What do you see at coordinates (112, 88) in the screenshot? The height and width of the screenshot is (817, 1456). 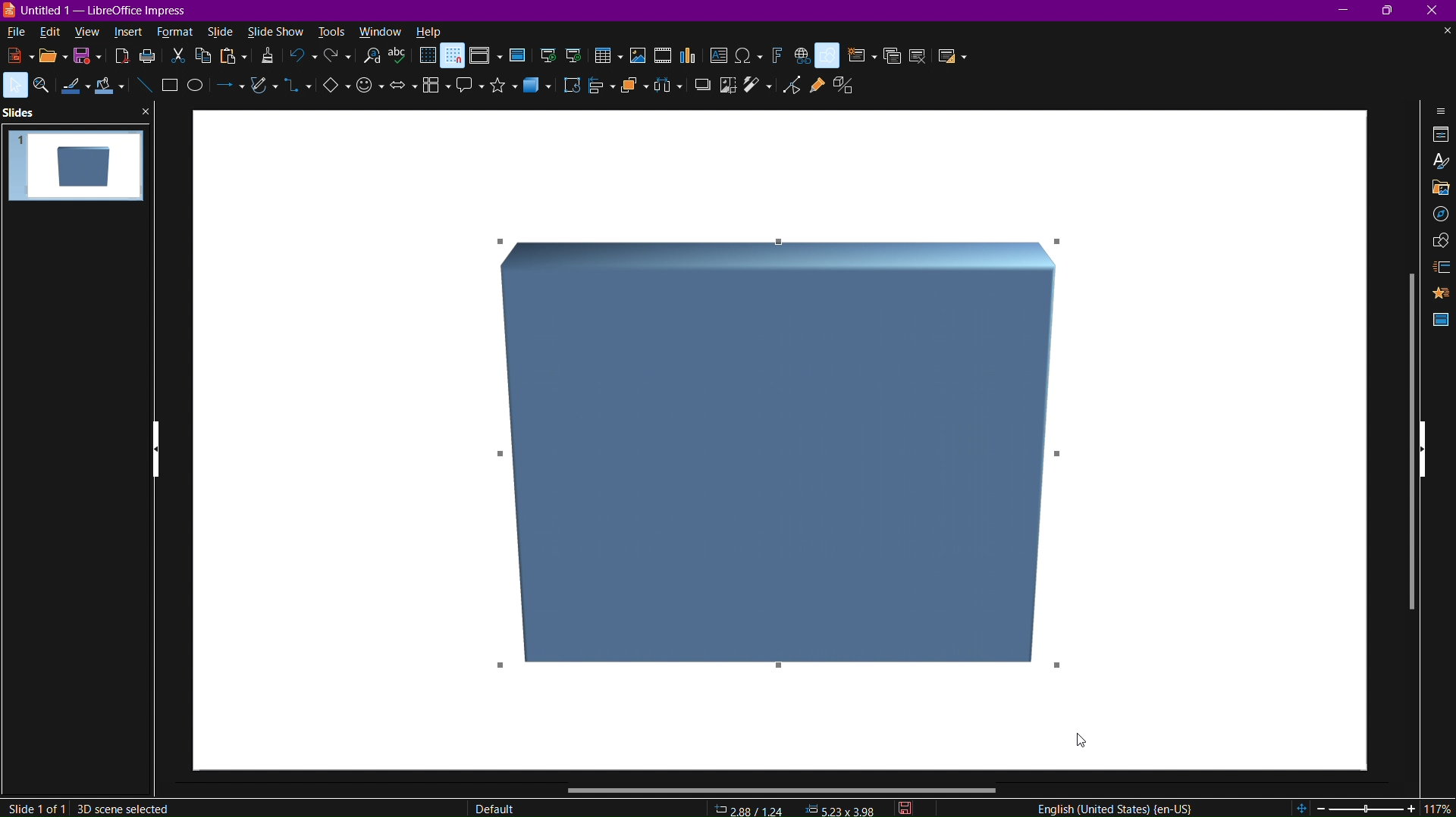 I see `Fill Color` at bounding box center [112, 88].